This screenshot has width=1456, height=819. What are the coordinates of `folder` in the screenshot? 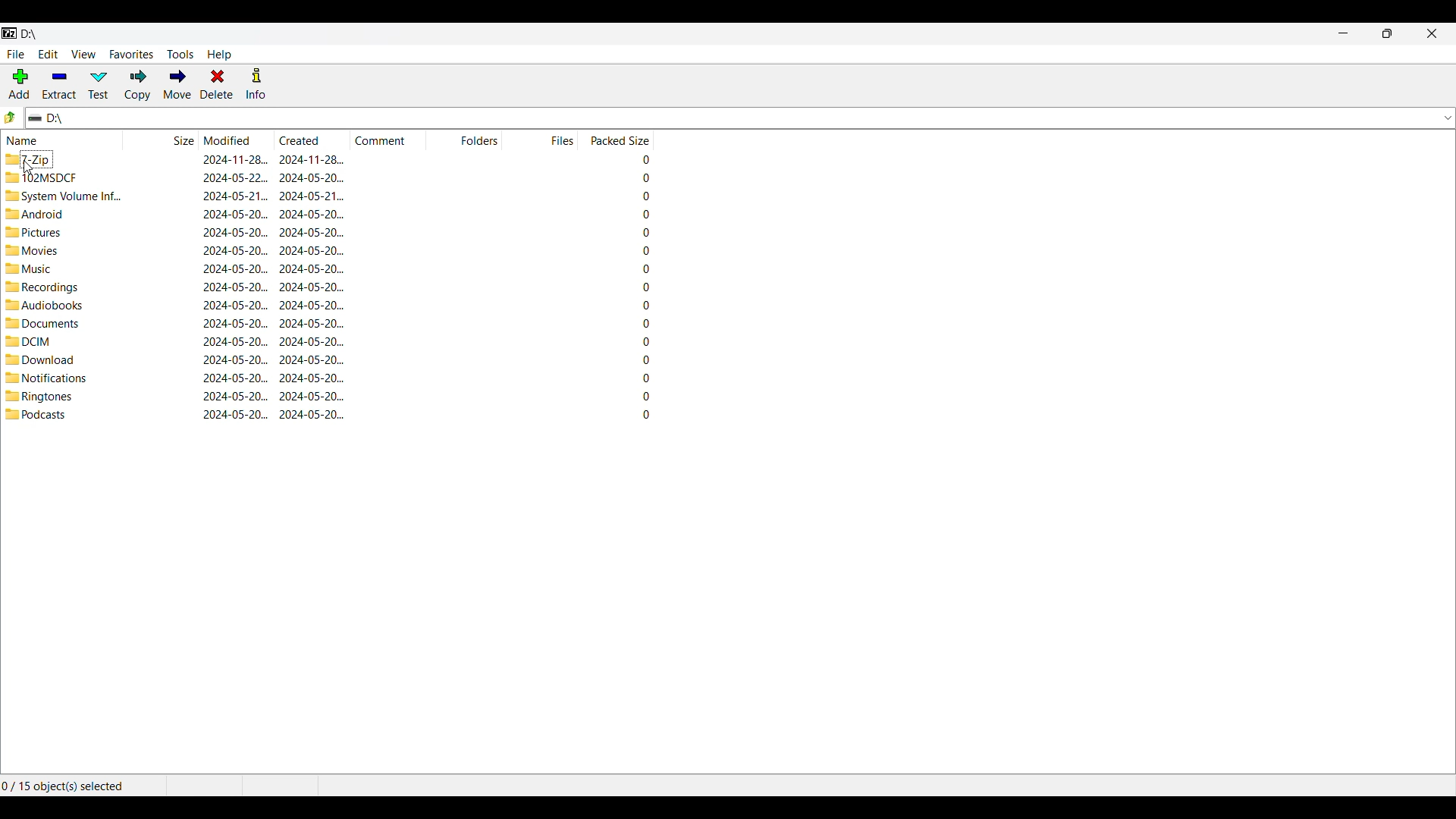 It's located at (42, 177).